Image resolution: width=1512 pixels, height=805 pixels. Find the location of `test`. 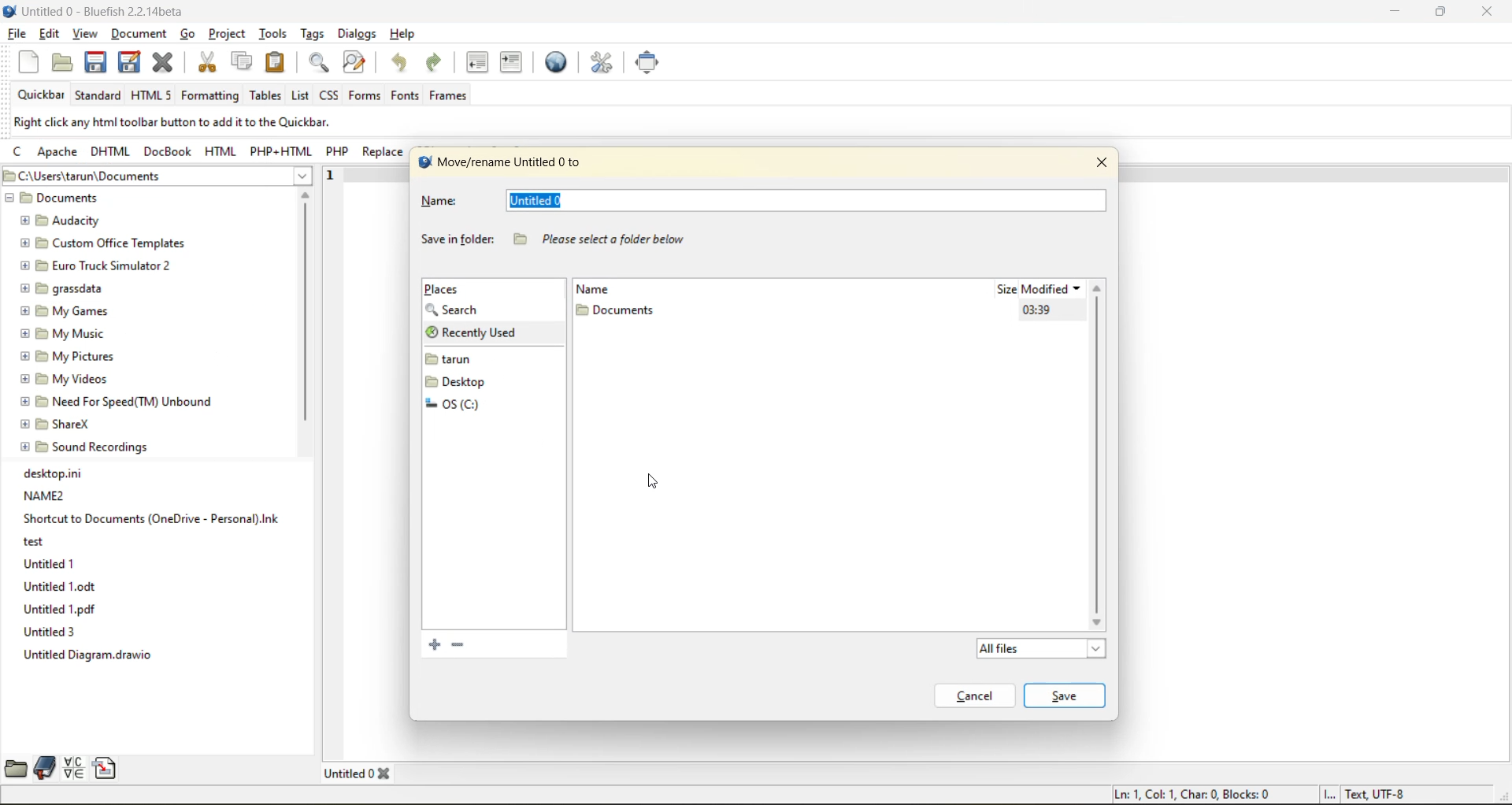

test is located at coordinates (35, 543).